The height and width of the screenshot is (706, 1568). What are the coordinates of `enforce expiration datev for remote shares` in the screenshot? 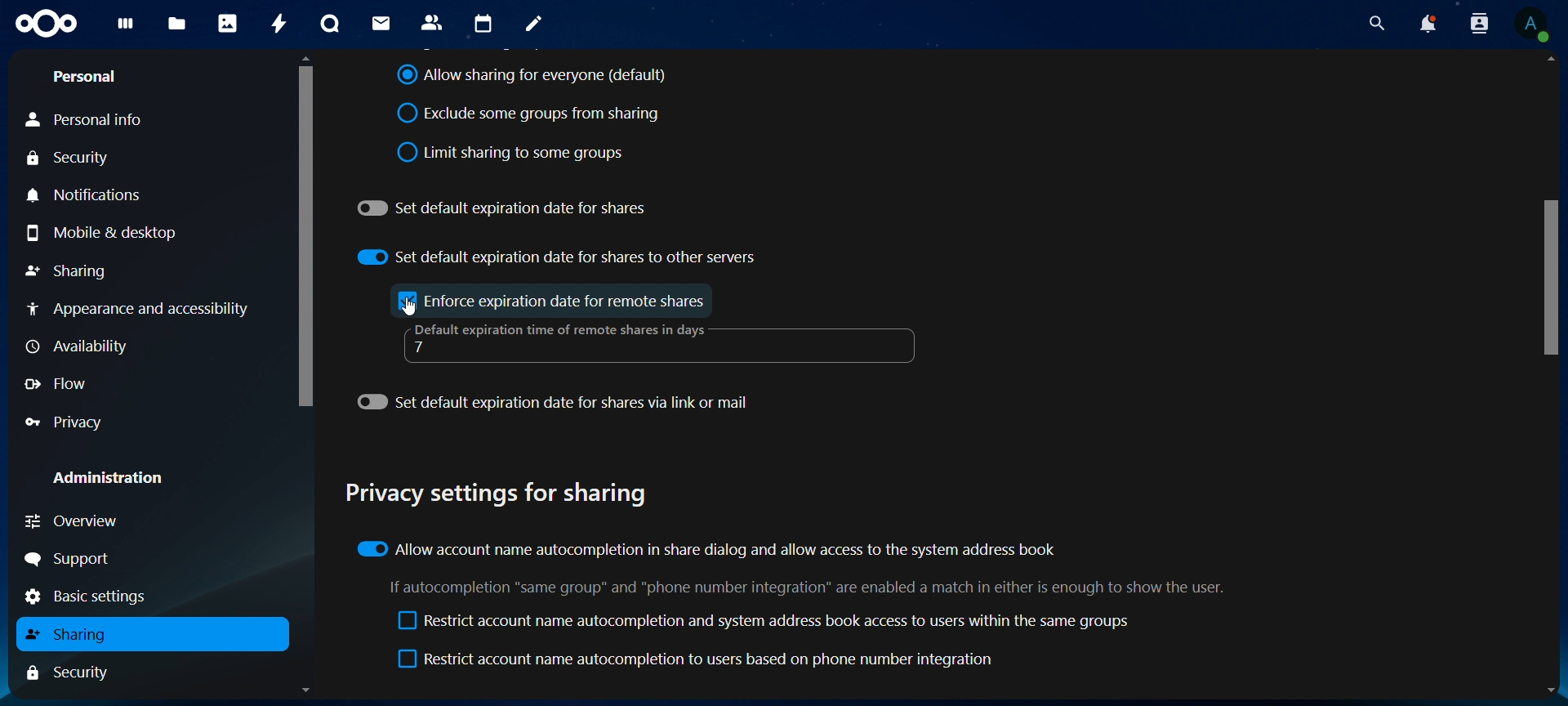 It's located at (568, 301).